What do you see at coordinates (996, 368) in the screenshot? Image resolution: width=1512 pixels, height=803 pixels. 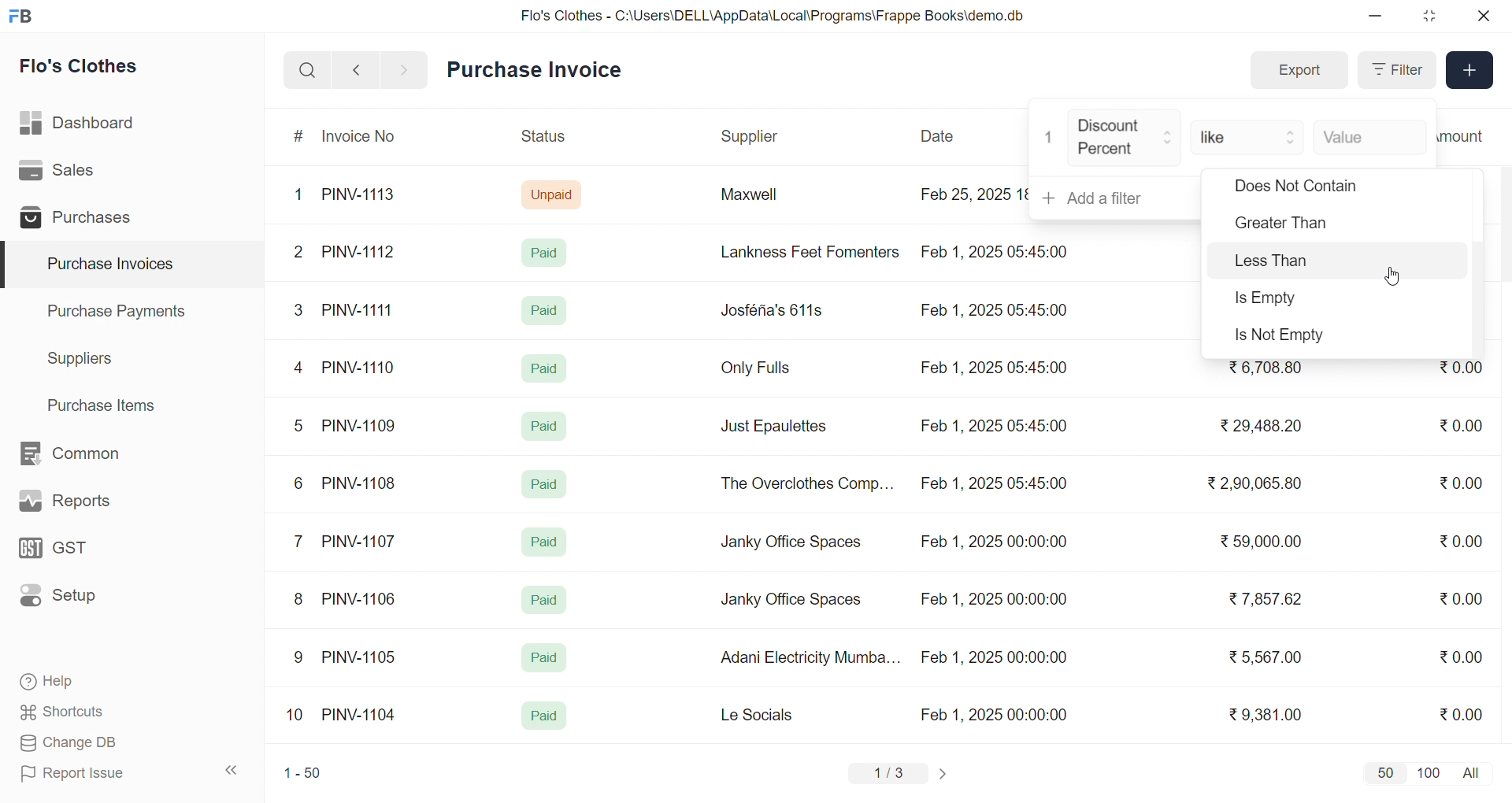 I see `Feb 1, 2025 05:45:00` at bounding box center [996, 368].